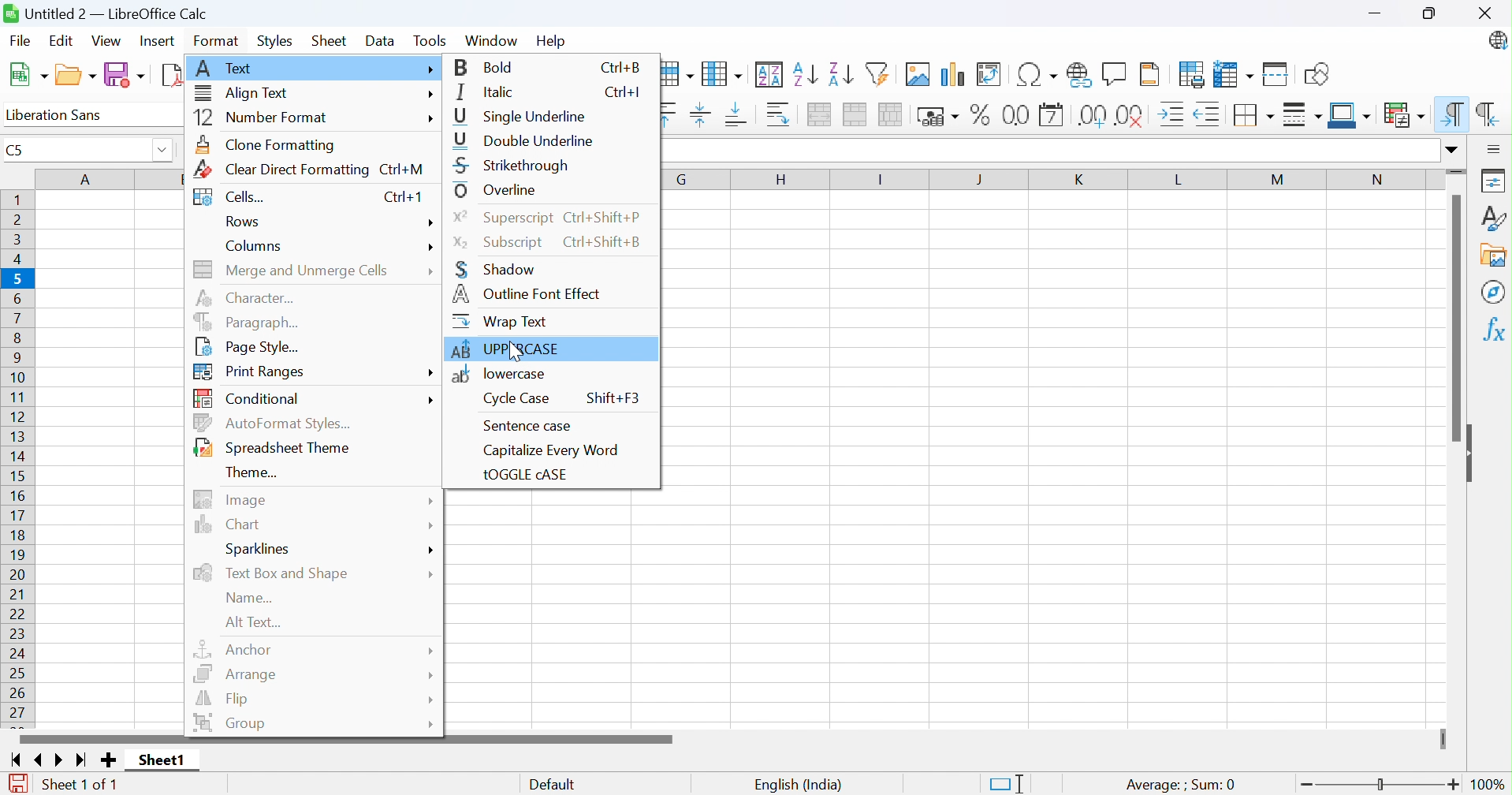 The image size is (1512, 795). I want to click on Shift F#, so click(616, 397).